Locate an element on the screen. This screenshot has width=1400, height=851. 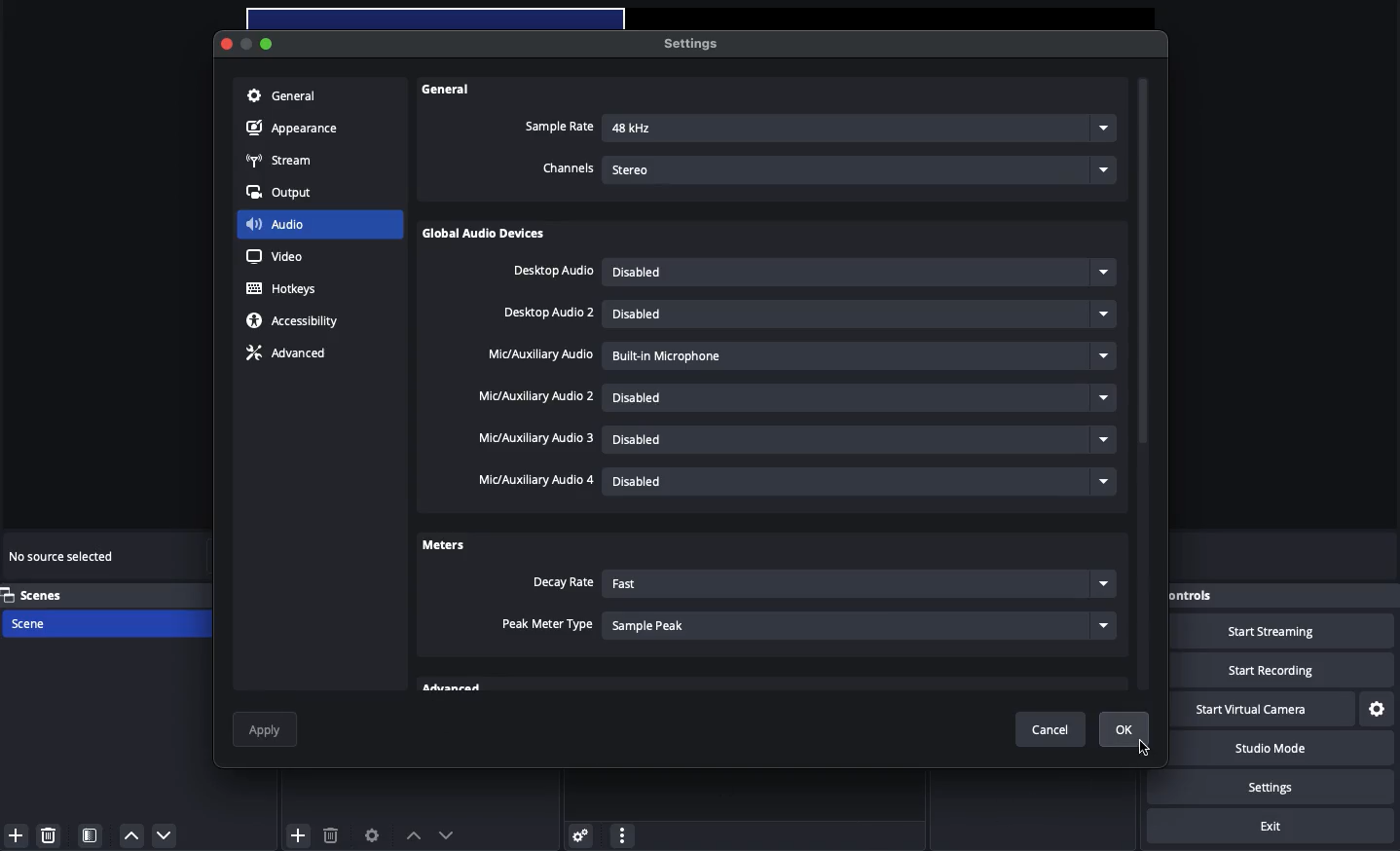
Button is located at coordinates (250, 46).